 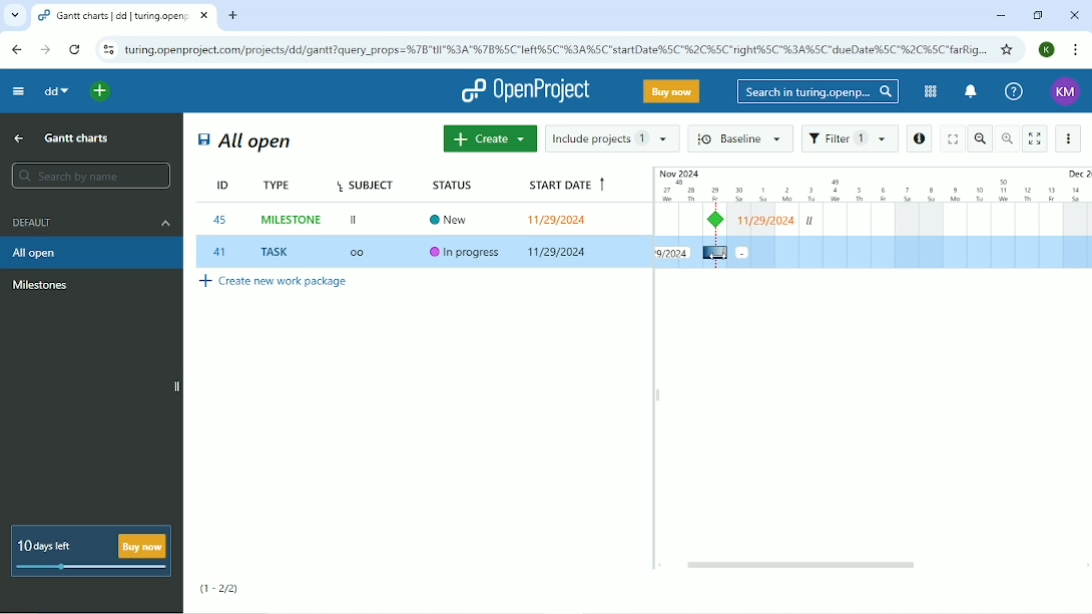 I want to click on More actions, so click(x=1070, y=138).